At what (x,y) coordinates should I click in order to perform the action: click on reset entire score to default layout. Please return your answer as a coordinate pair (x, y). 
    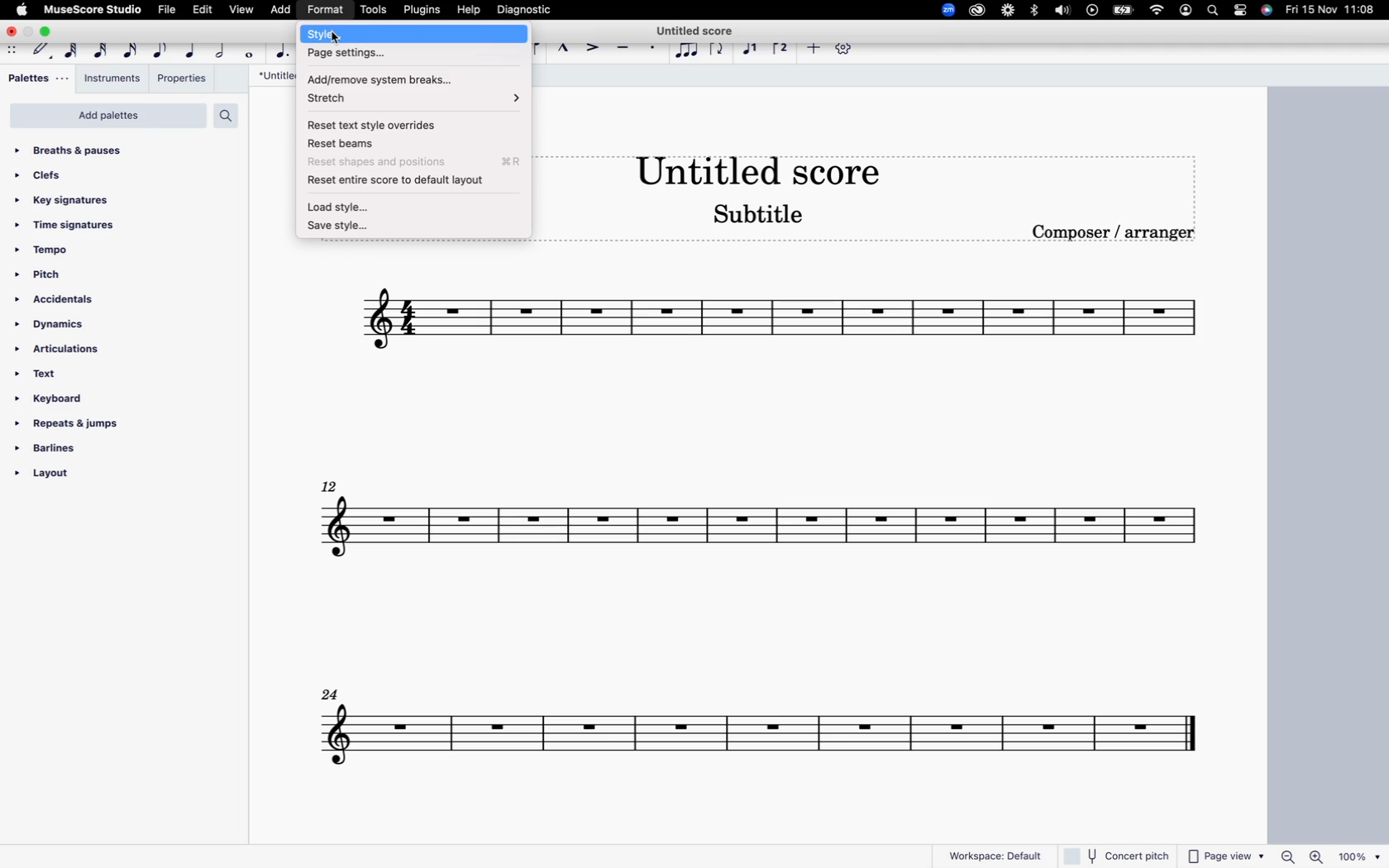
    Looking at the image, I should click on (405, 180).